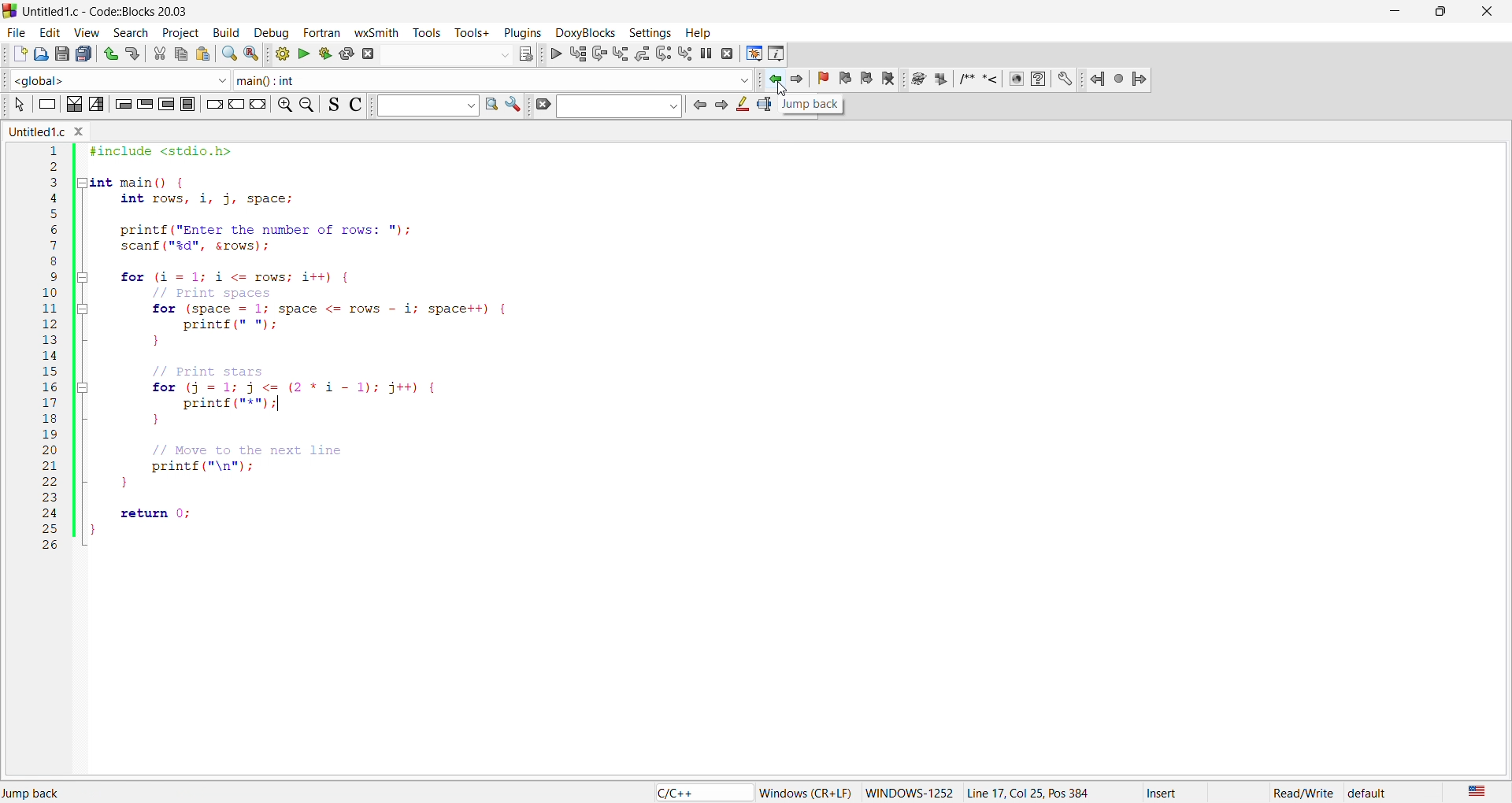  Describe the element at coordinates (17, 54) in the screenshot. I see `new file` at that location.